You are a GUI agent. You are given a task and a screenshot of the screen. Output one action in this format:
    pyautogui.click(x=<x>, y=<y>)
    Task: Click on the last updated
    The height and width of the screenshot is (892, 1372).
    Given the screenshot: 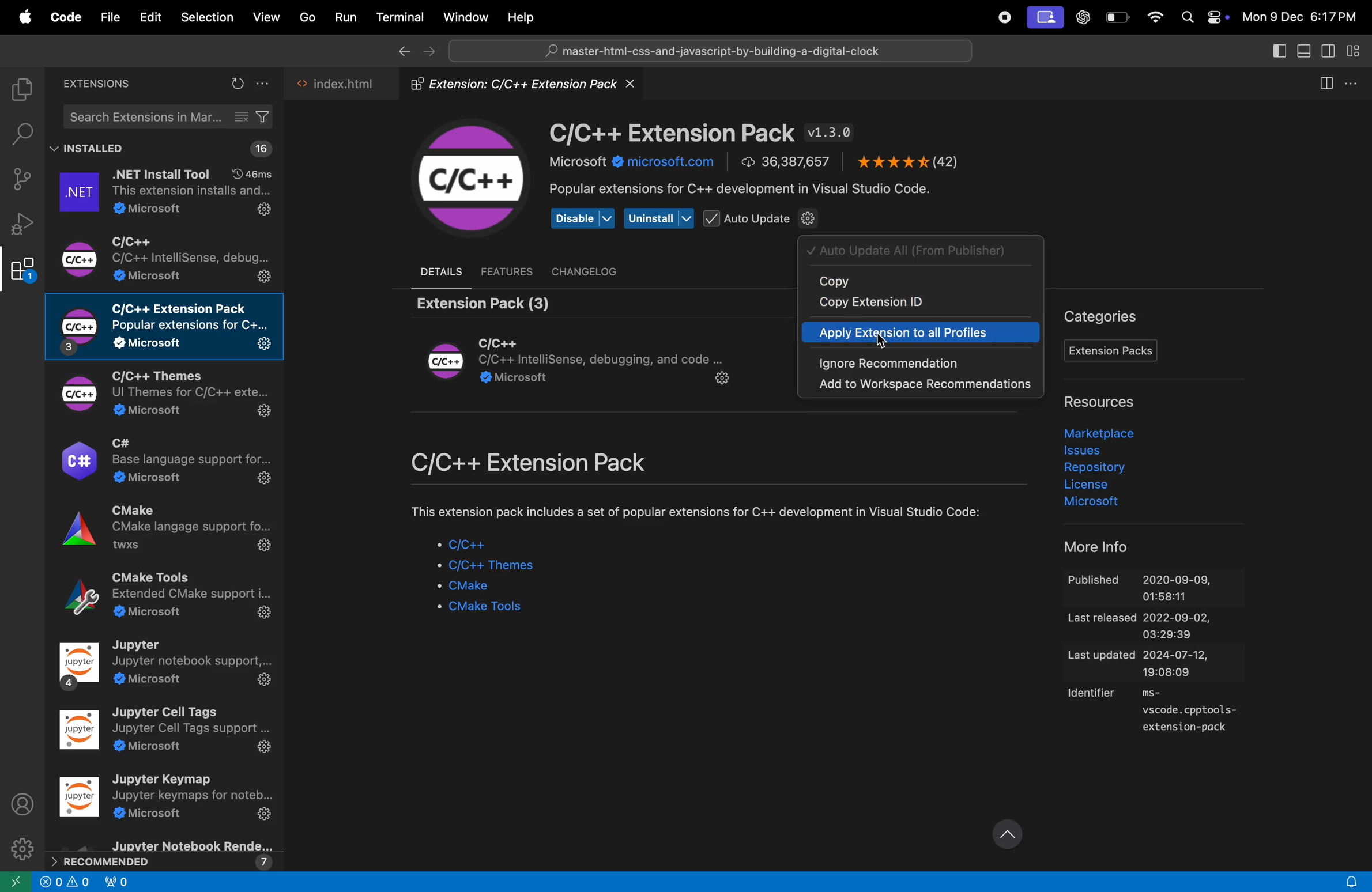 What is the action you would take?
    pyautogui.click(x=1158, y=666)
    